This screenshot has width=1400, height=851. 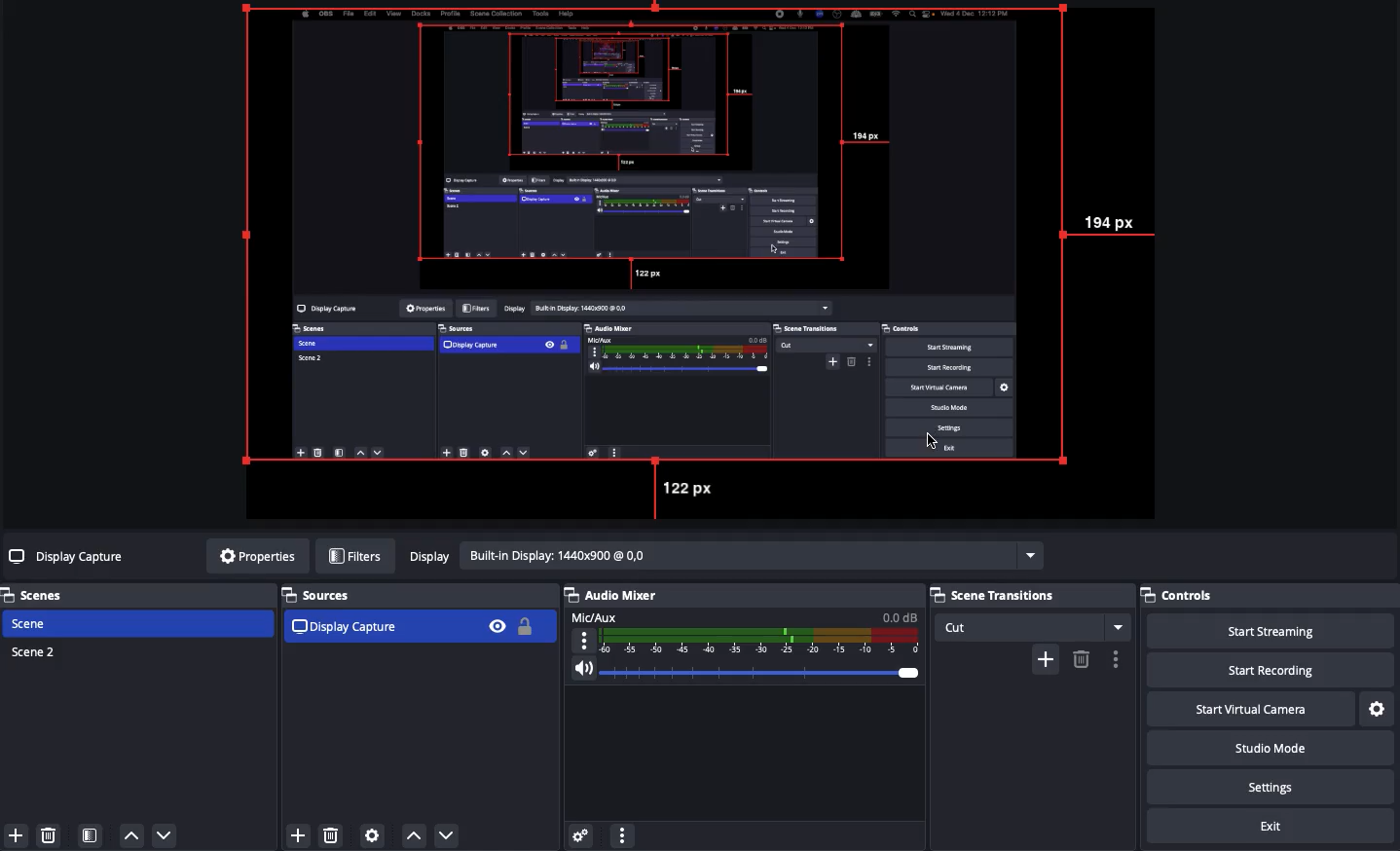 What do you see at coordinates (1379, 707) in the screenshot?
I see `Settings` at bounding box center [1379, 707].